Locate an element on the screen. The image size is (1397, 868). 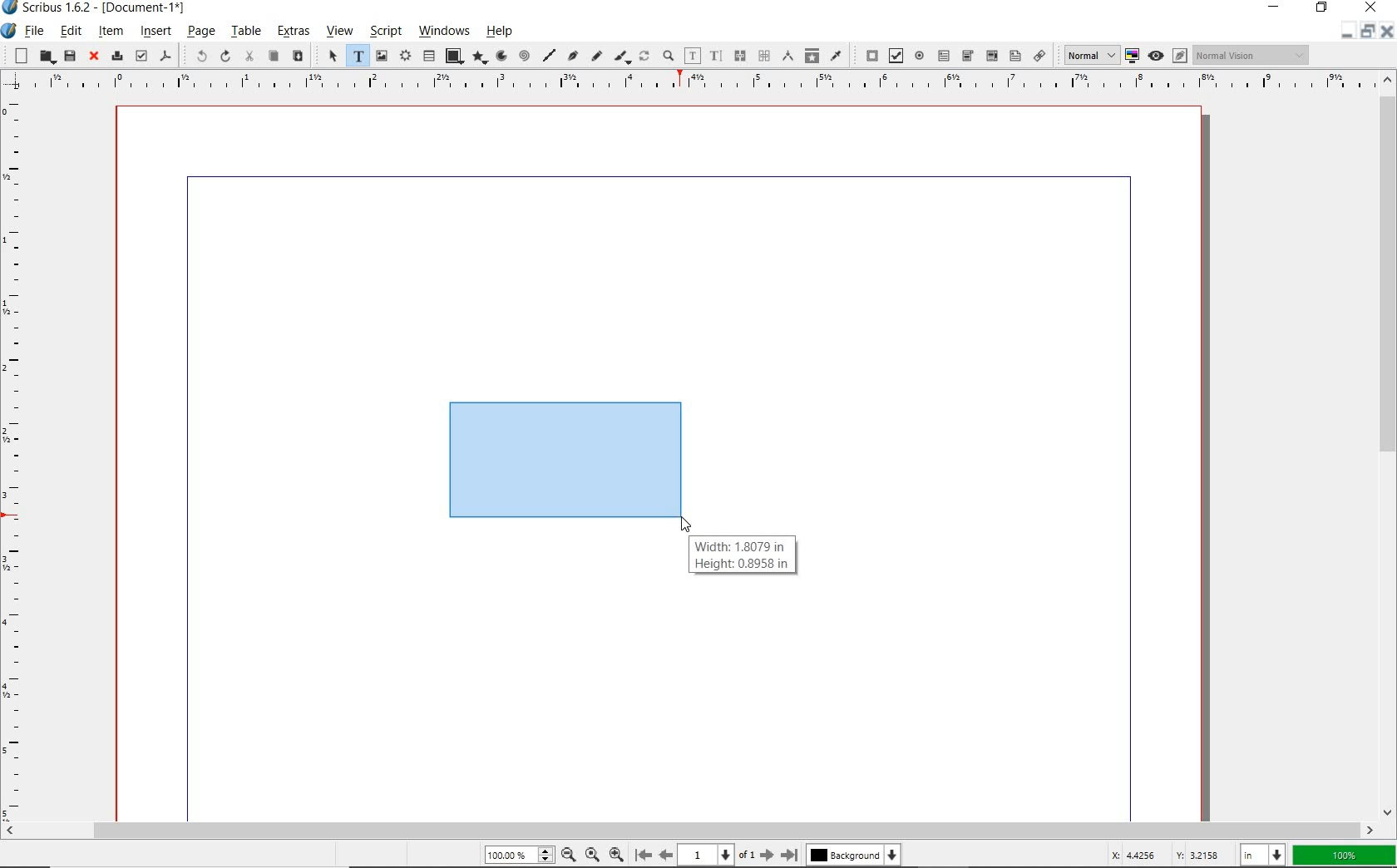
eye dropper is located at coordinates (836, 55).